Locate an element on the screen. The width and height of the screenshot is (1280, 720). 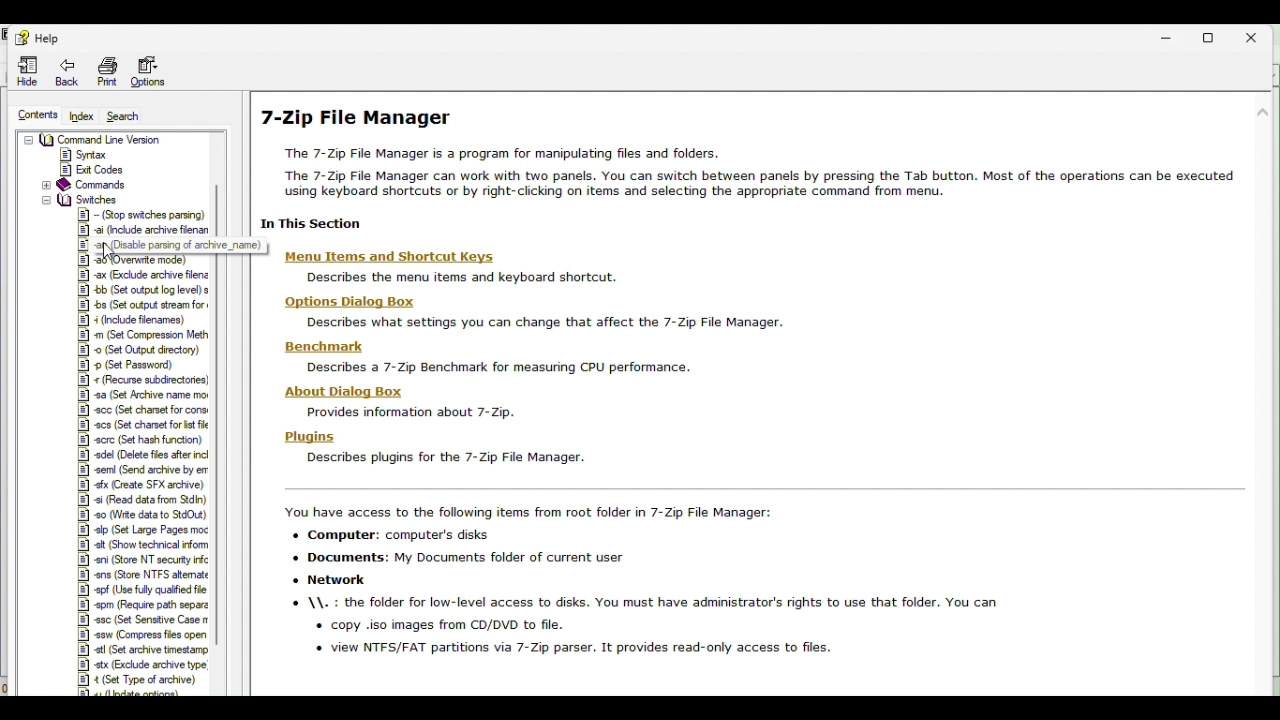
|] tl (Set archive timestamp is located at coordinates (140, 650).